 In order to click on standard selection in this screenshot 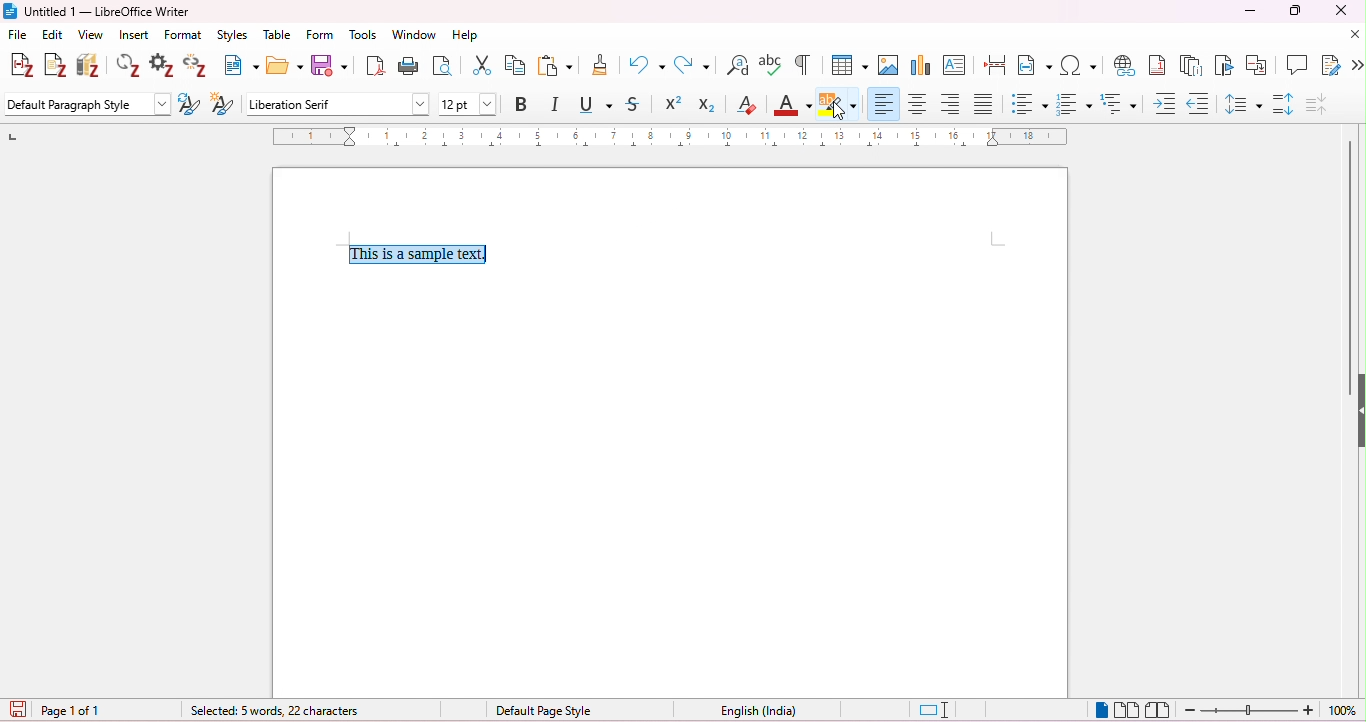, I will do `click(939, 710)`.